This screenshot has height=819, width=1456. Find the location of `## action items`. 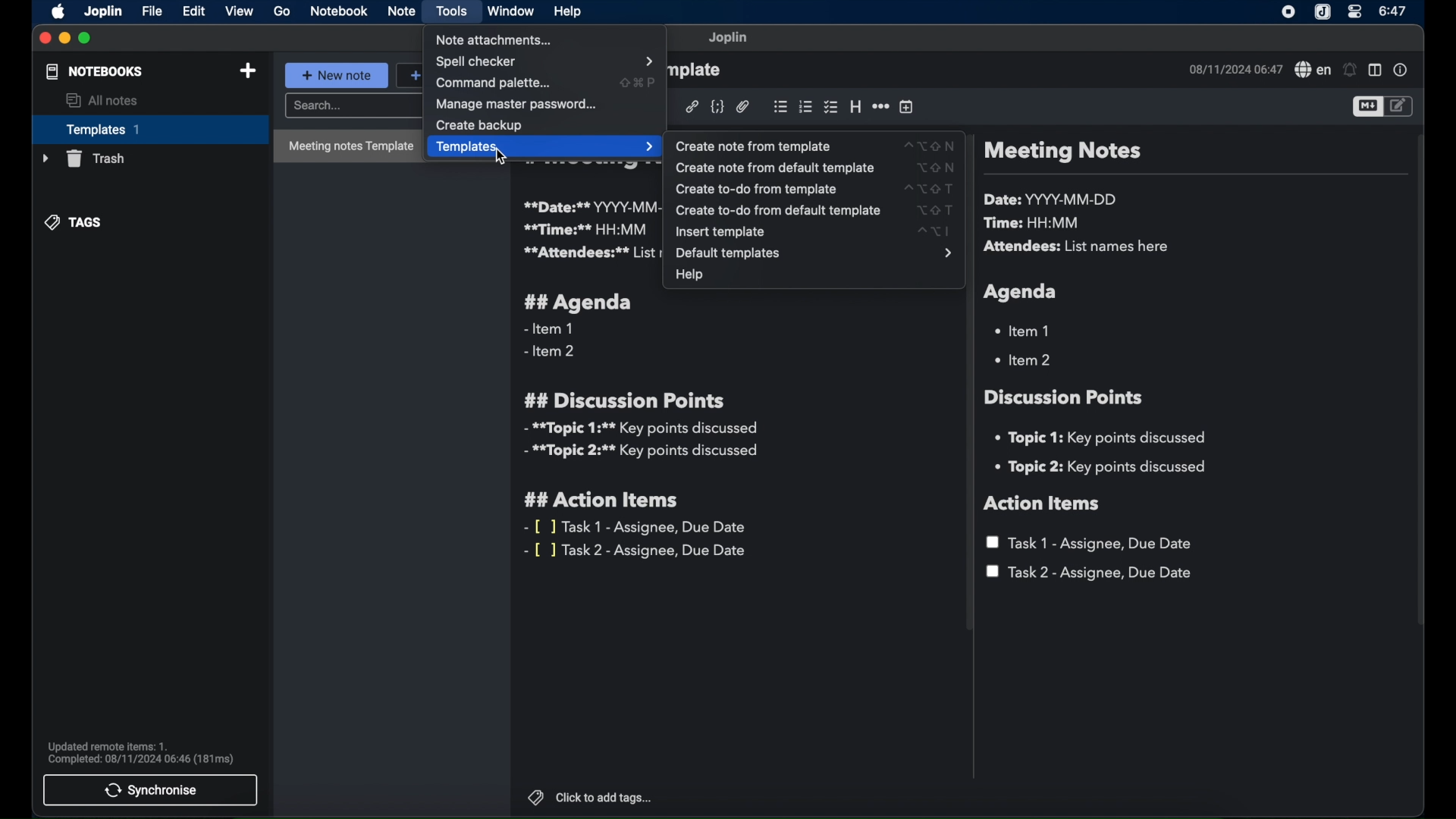

## action items is located at coordinates (605, 500).